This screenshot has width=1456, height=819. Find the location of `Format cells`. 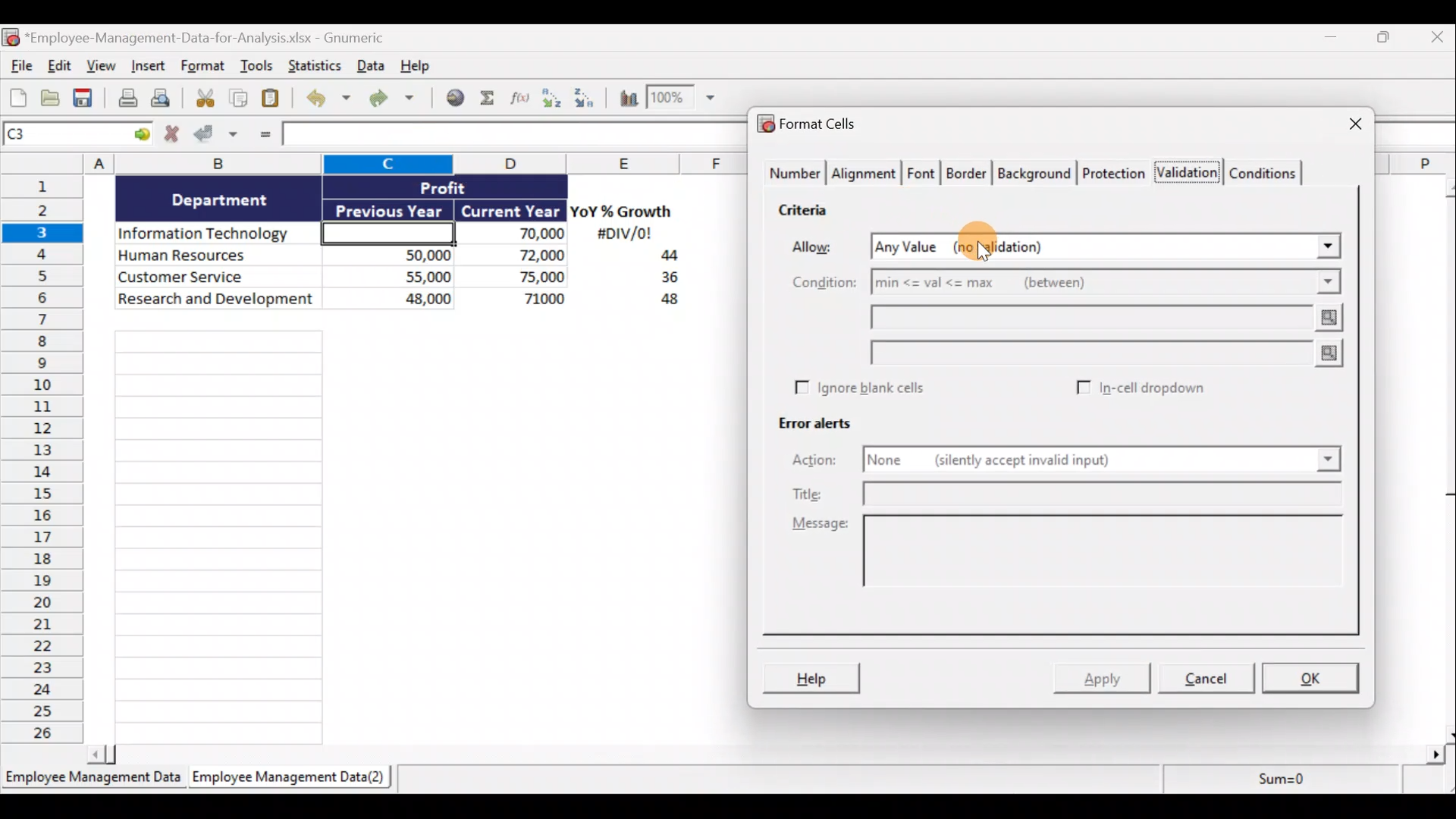

Format cells is located at coordinates (811, 126).